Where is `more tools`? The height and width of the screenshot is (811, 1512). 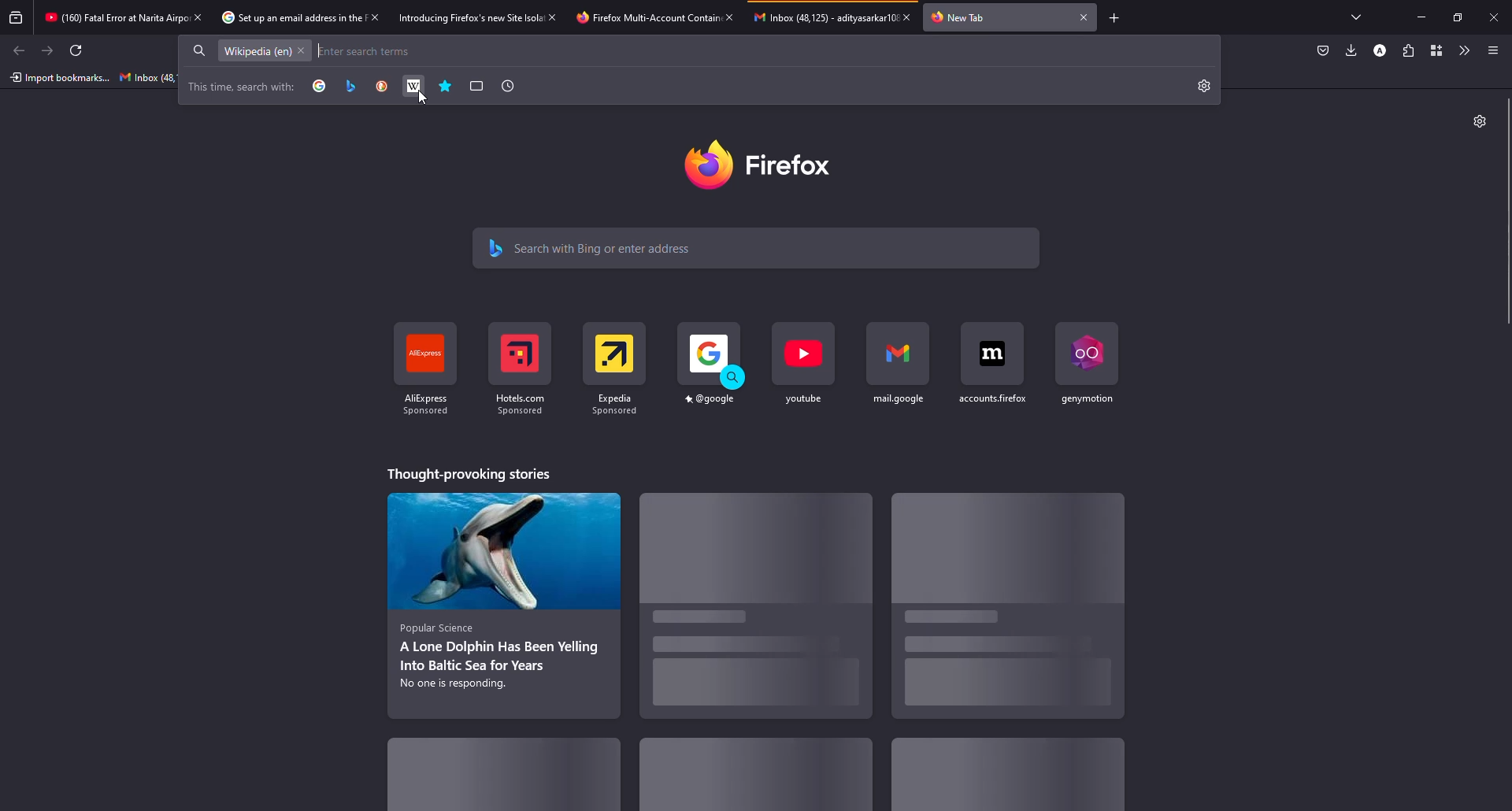
more tools is located at coordinates (1462, 50).